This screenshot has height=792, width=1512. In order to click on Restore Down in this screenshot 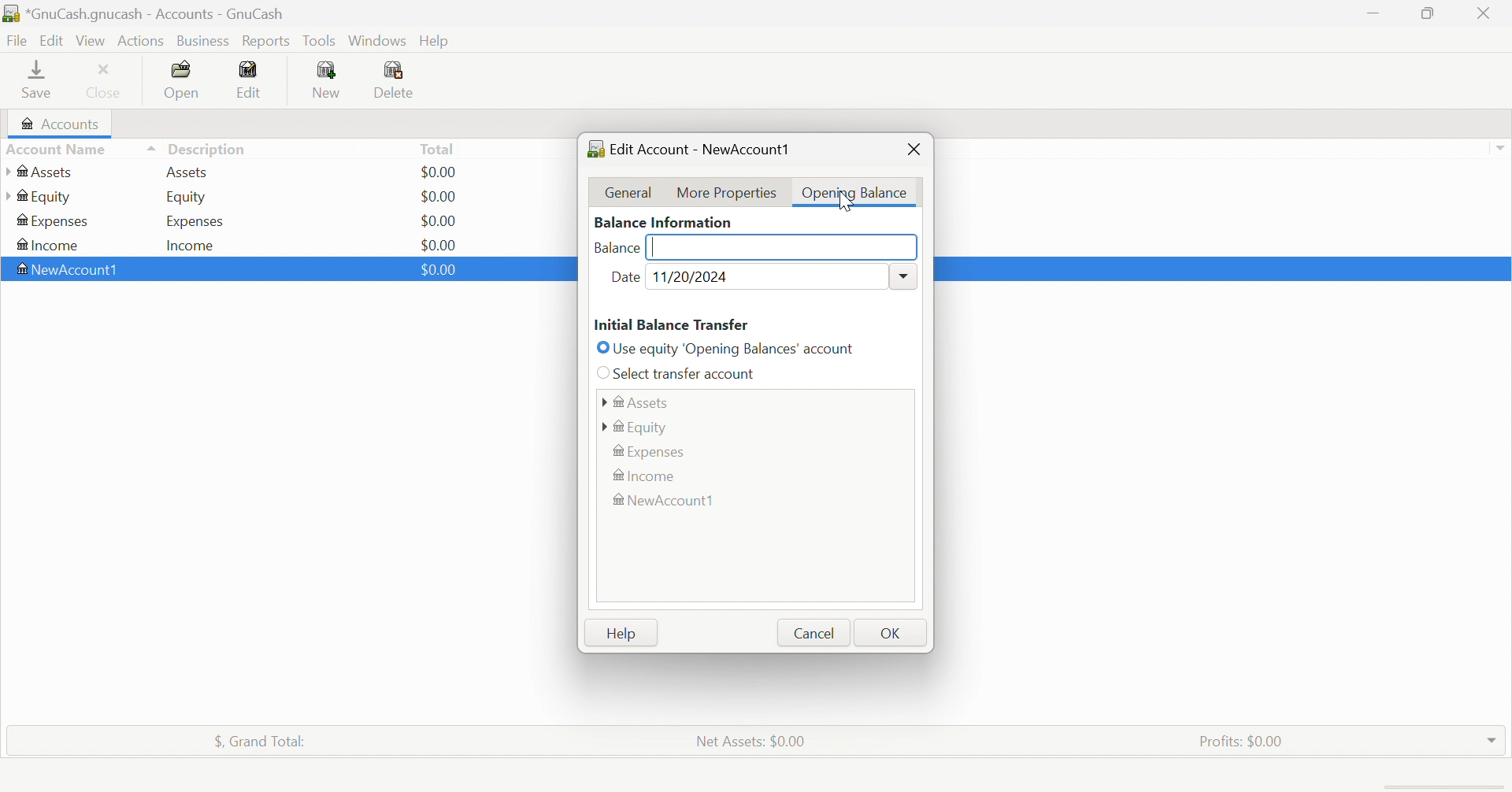, I will do `click(1430, 15)`.